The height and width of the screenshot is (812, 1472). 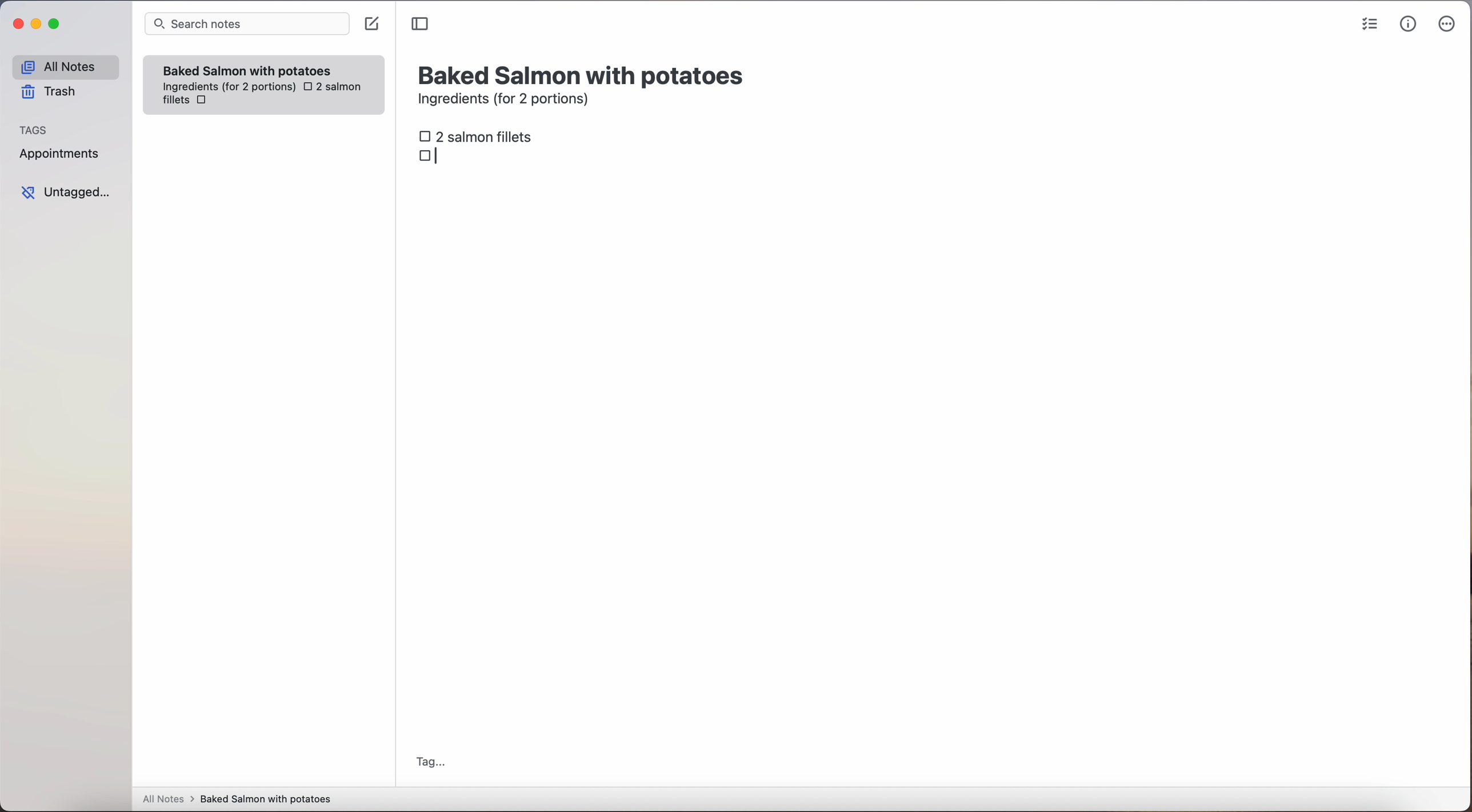 I want to click on metrics, so click(x=1409, y=23).